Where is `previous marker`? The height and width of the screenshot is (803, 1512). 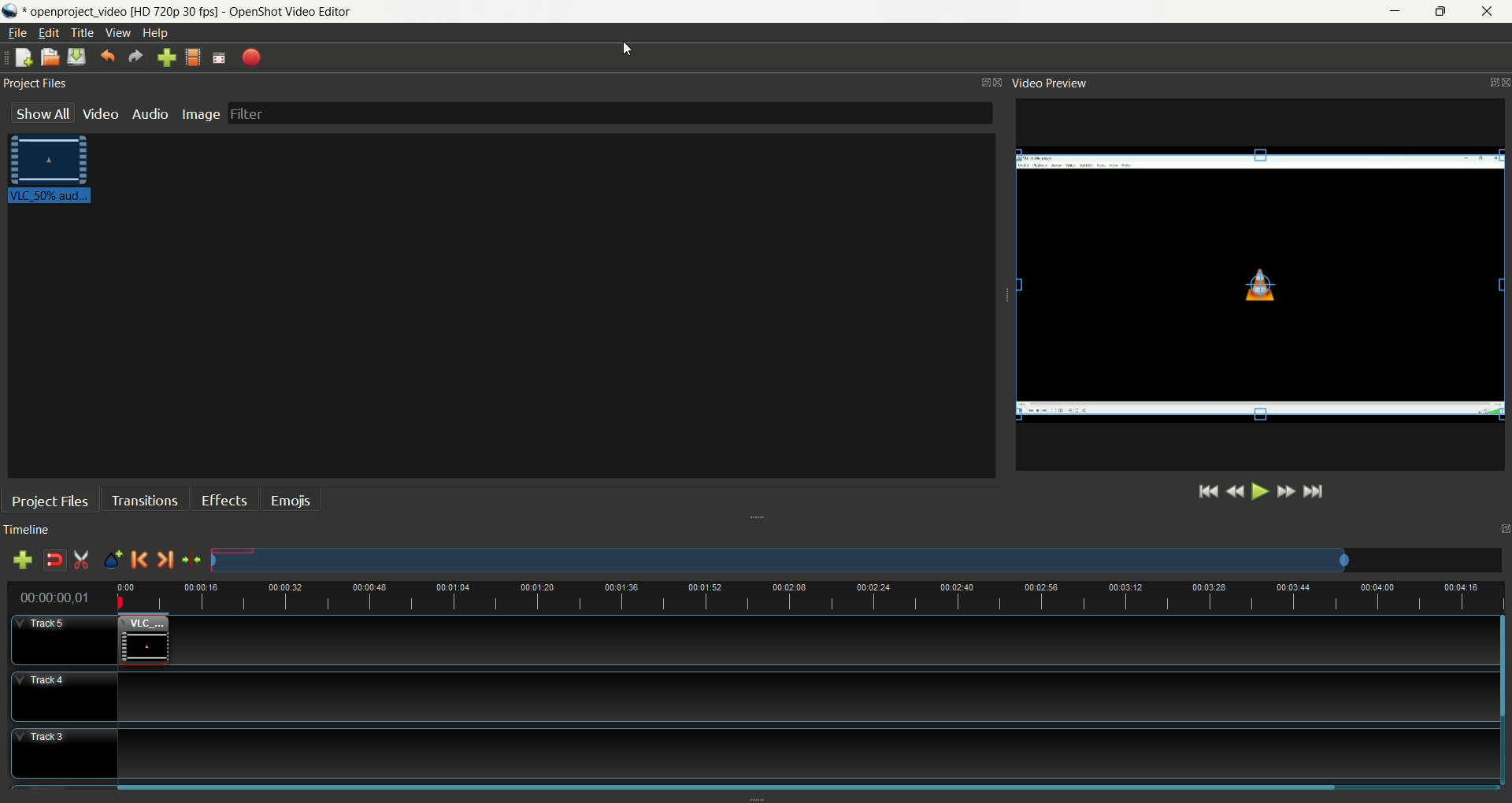 previous marker is located at coordinates (138, 560).